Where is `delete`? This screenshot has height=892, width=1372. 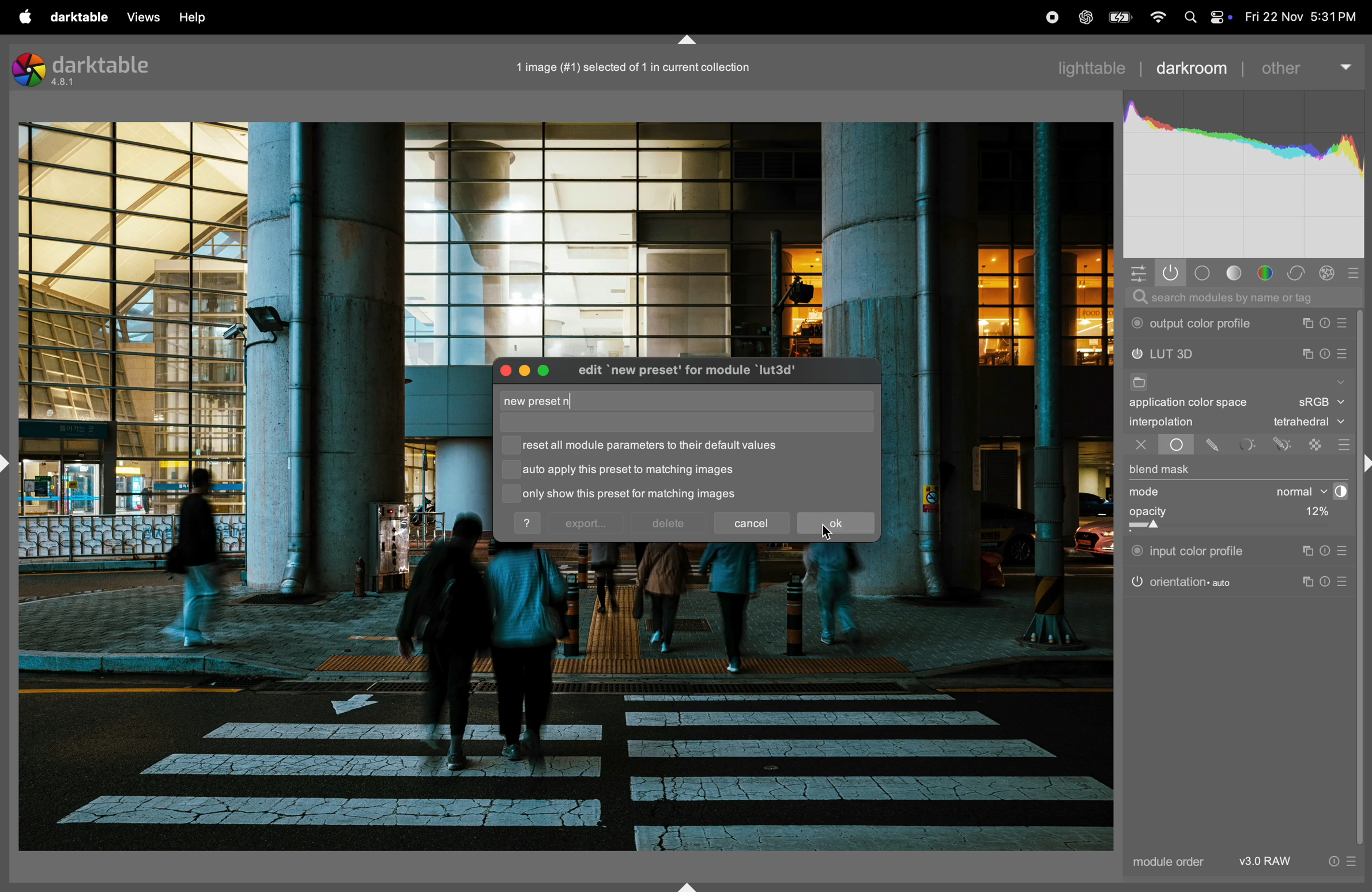
delete is located at coordinates (668, 524).